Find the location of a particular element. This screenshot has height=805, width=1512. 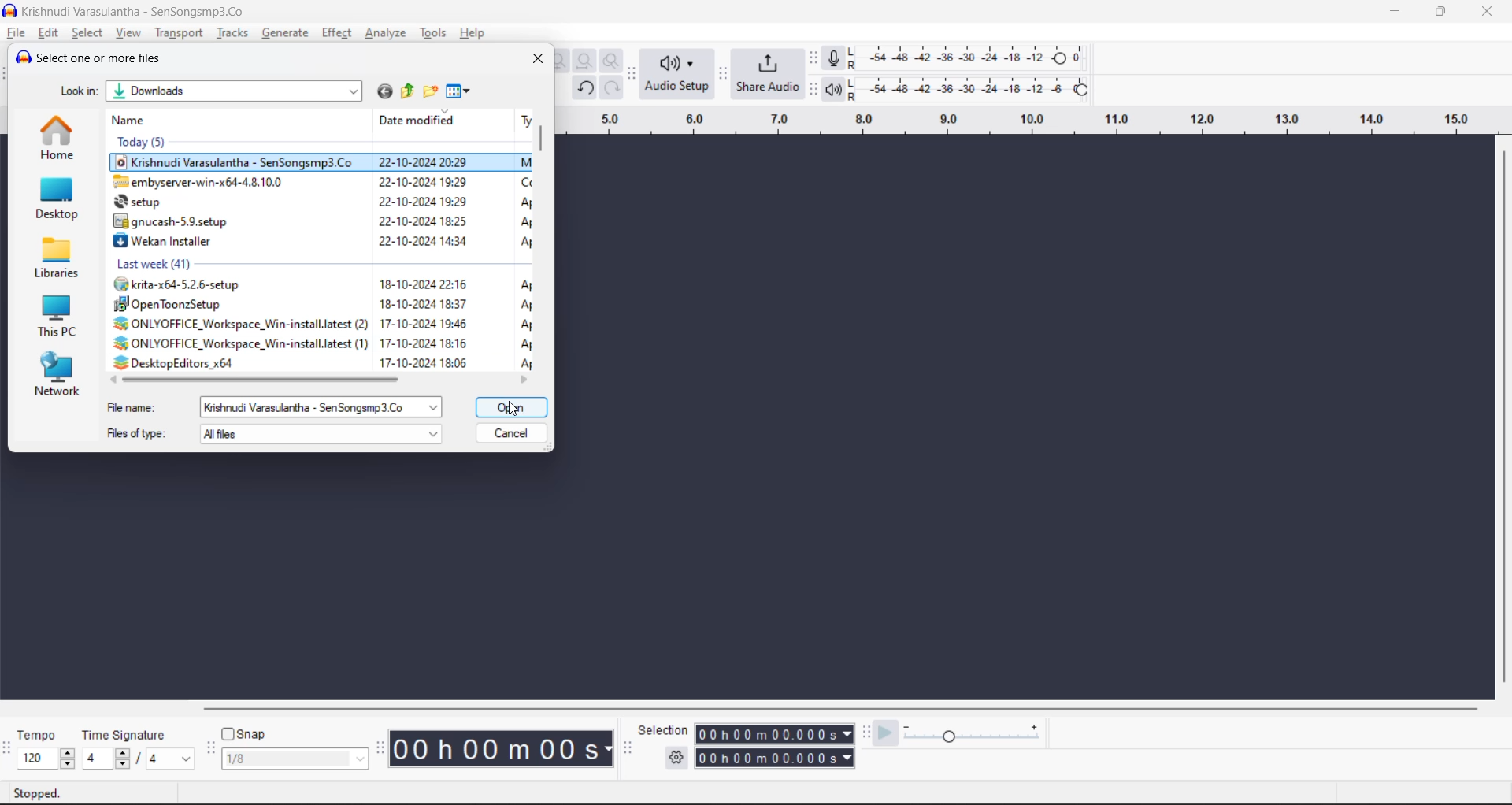

vertical scrollbar is located at coordinates (545, 241).